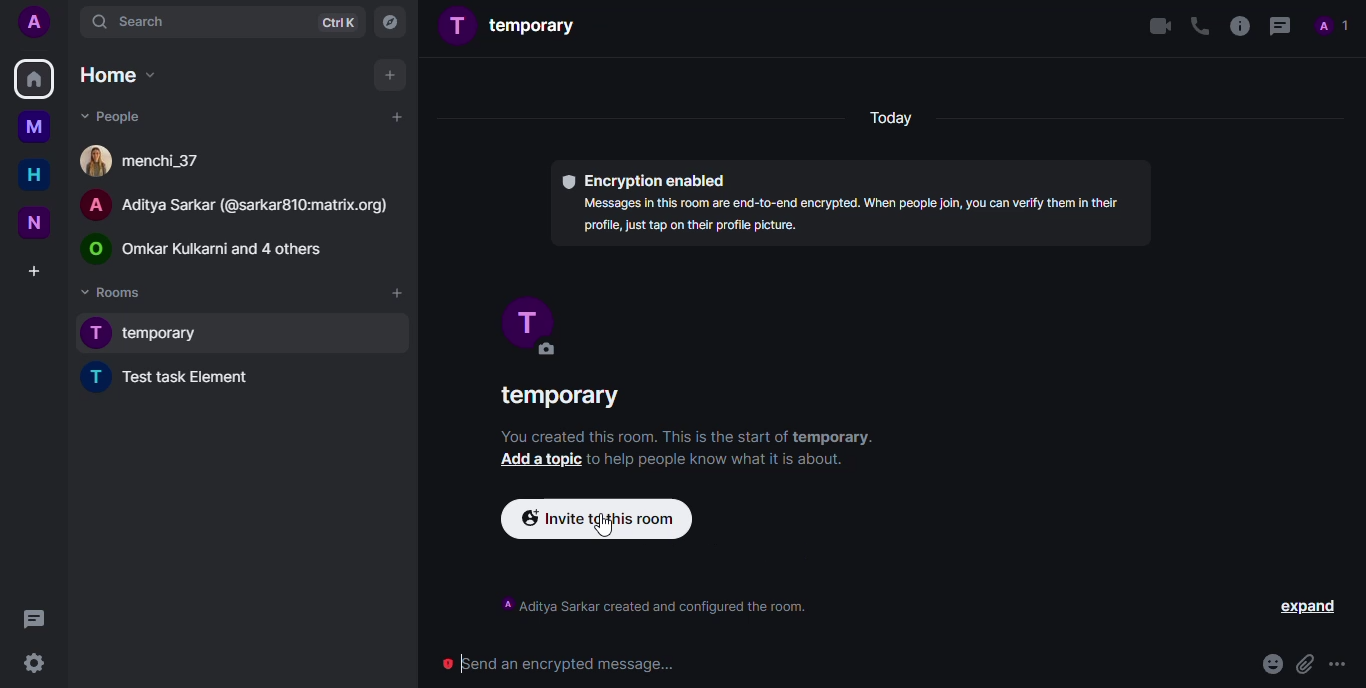 The image size is (1366, 688). Describe the element at coordinates (538, 459) in the screenshot. I see `add a topic` at that location.